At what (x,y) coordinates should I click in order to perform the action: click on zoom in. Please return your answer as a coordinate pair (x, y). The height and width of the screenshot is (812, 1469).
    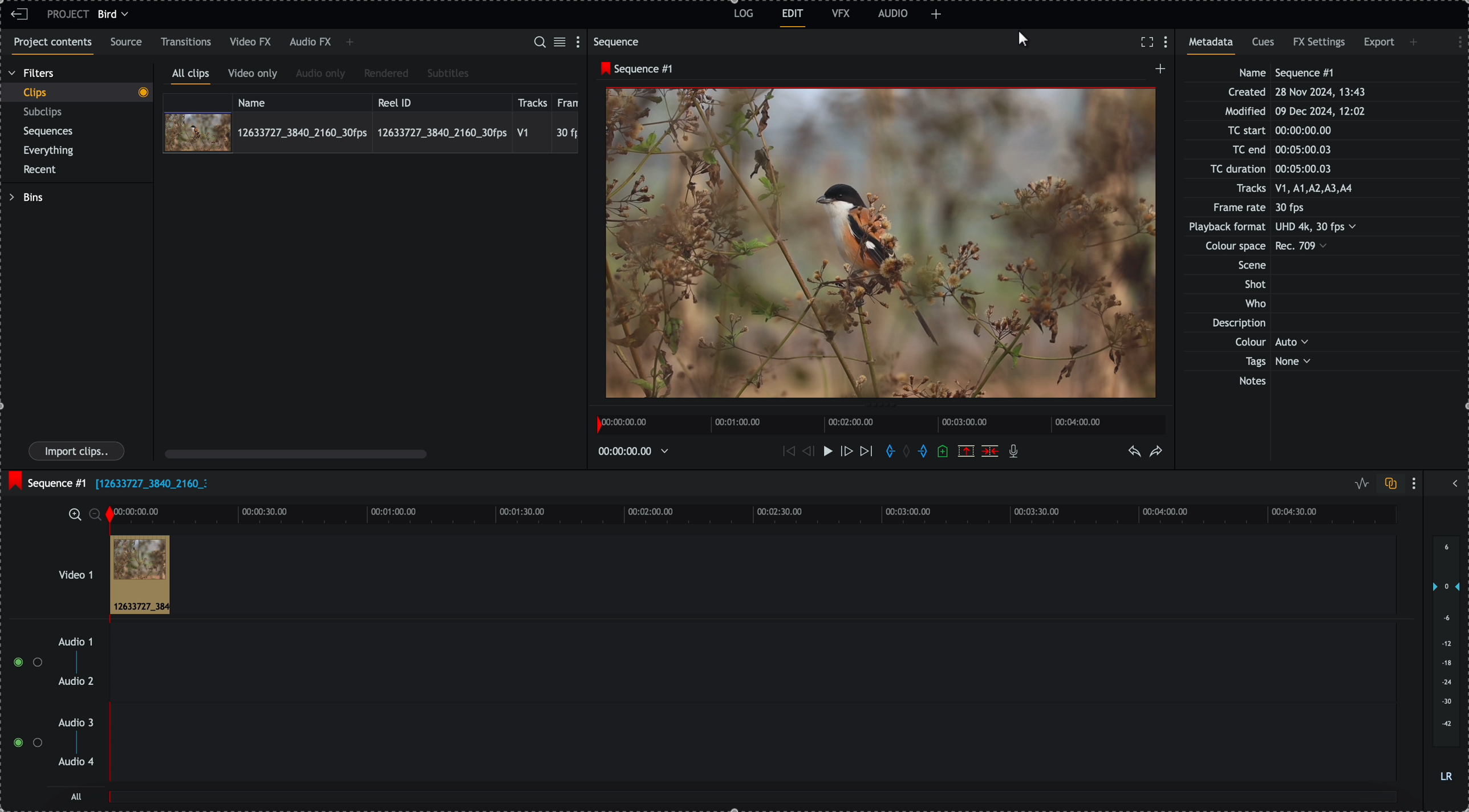
    Looking at the image, I should click on (74, 514).